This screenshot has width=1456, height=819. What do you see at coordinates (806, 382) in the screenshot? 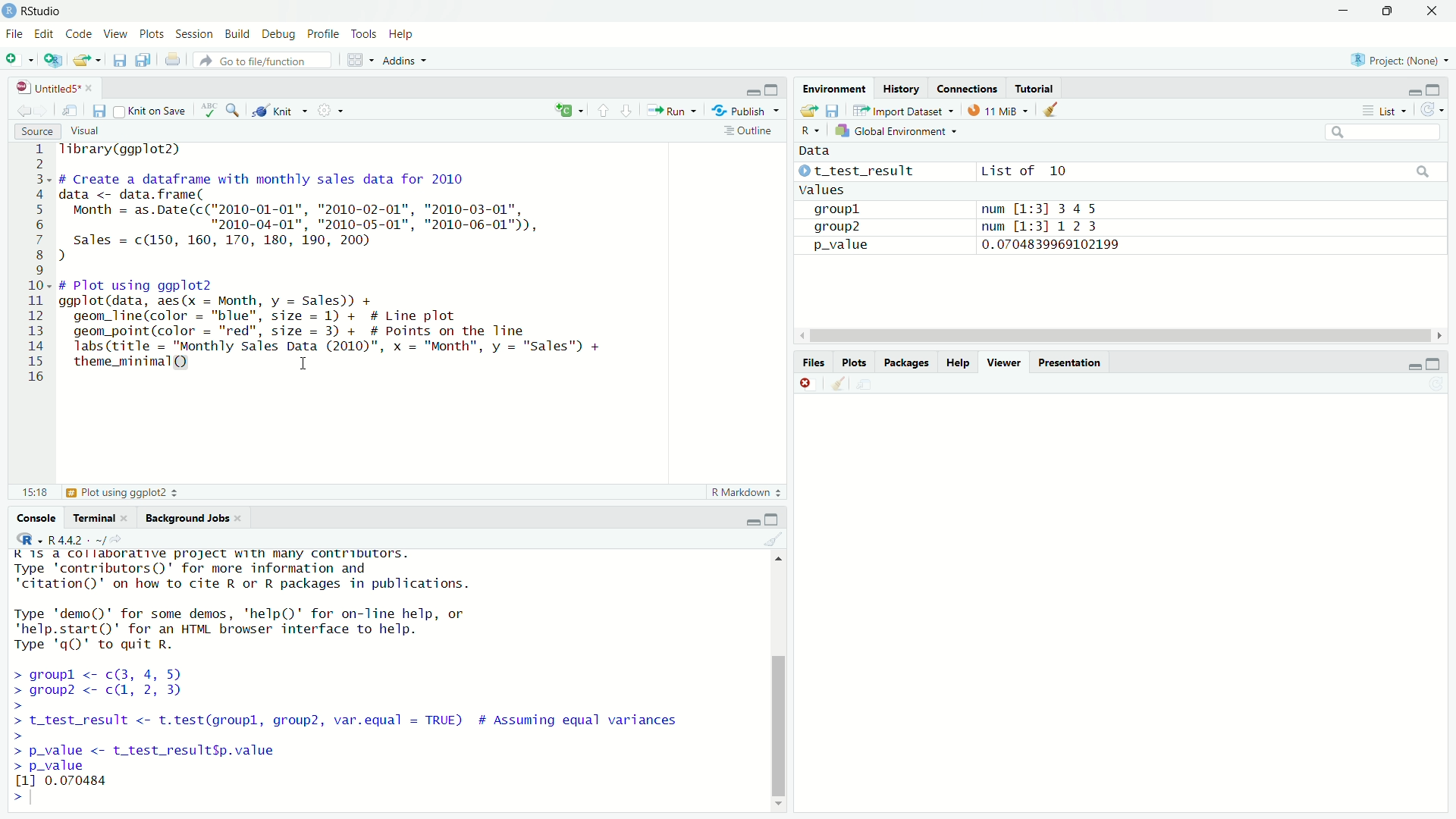
I see `close` at bounding box center [806, 382].